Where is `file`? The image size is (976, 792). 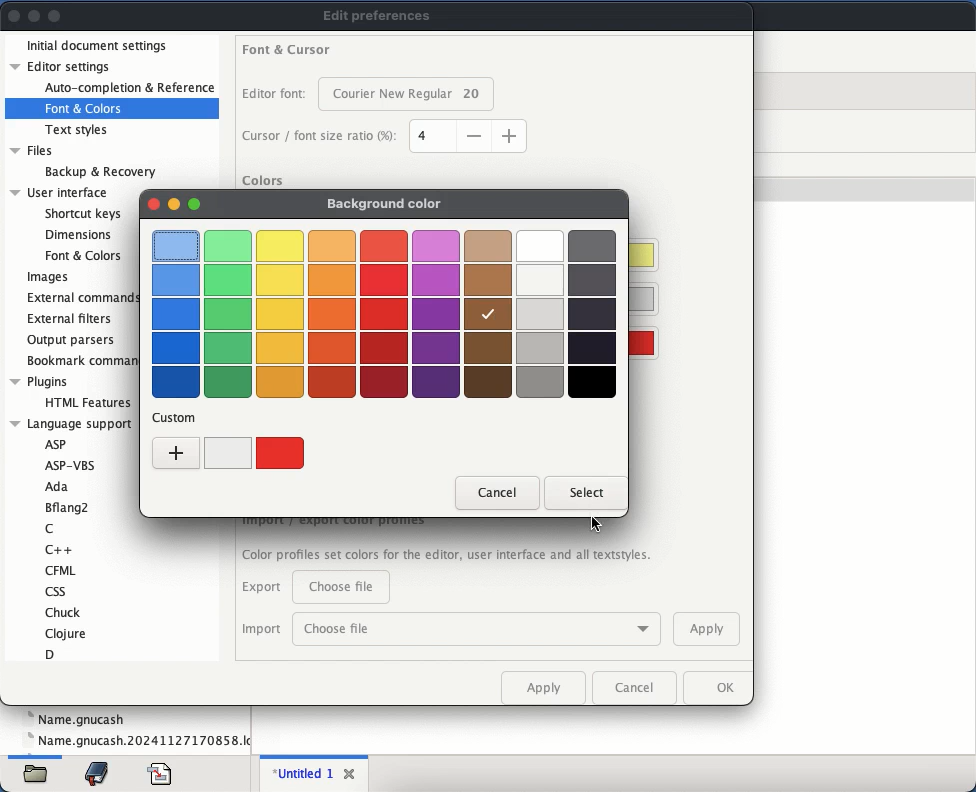 file is located at coordinates (162, 772).